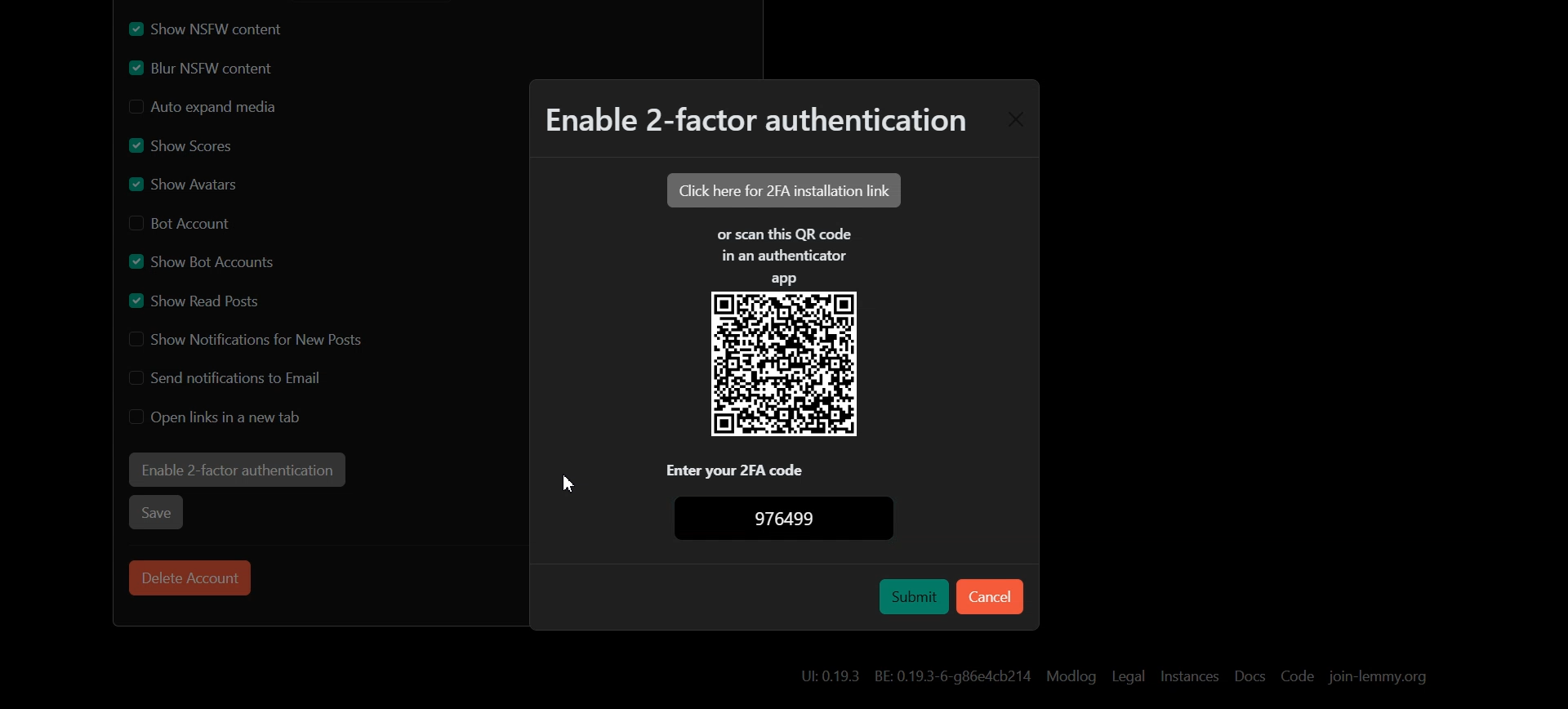 The image size is (1568, 709). What do you see at coordinates (1554, 354) in the screenshot?
I see `Scroll bar` at bounding box center [1554, 354].